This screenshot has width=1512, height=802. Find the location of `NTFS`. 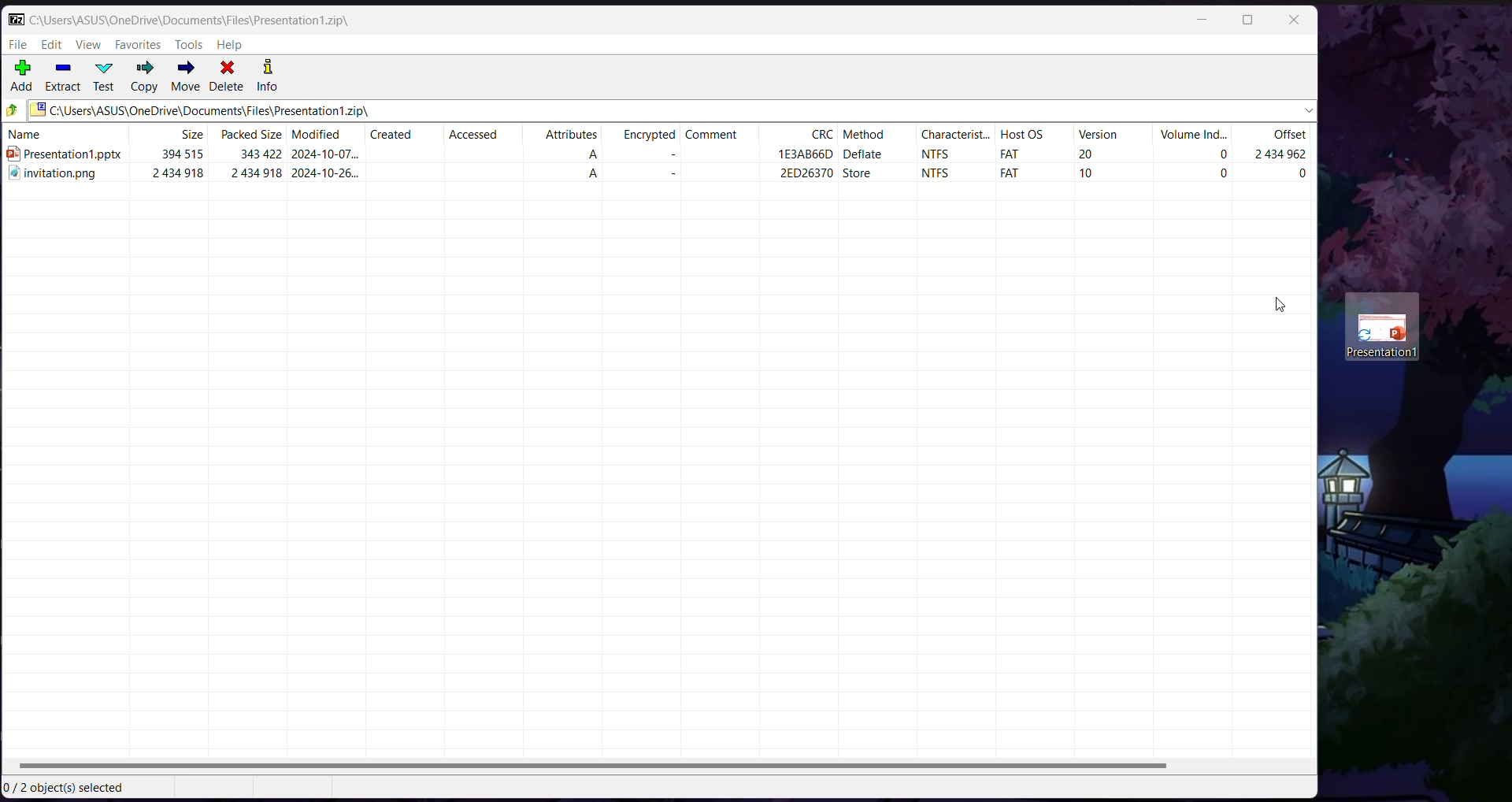

NTFS is located at coordinates (939, 156).